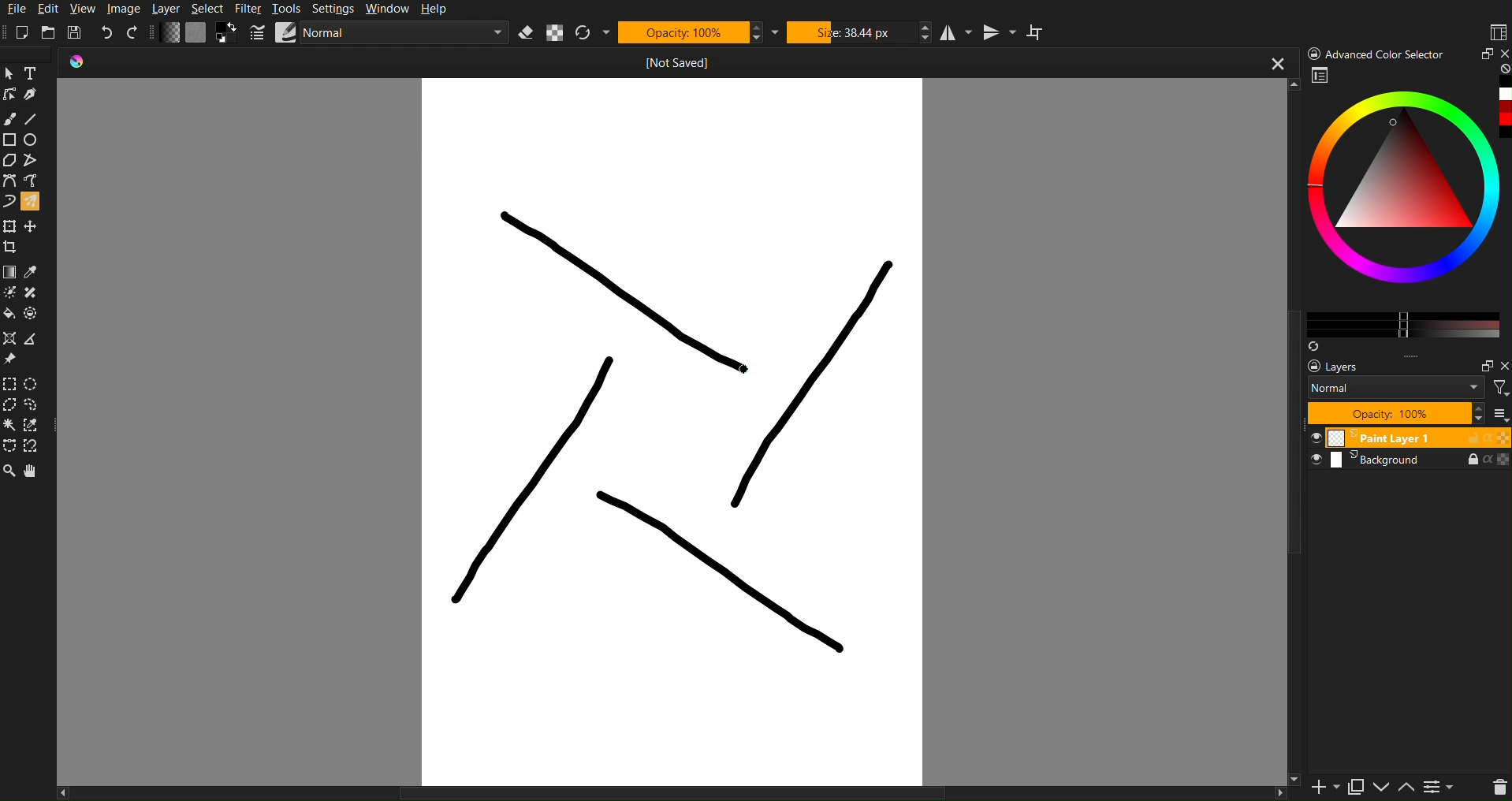 This screenshot has width=1512, height=801. I want to click on Edit, so click(52, 9).